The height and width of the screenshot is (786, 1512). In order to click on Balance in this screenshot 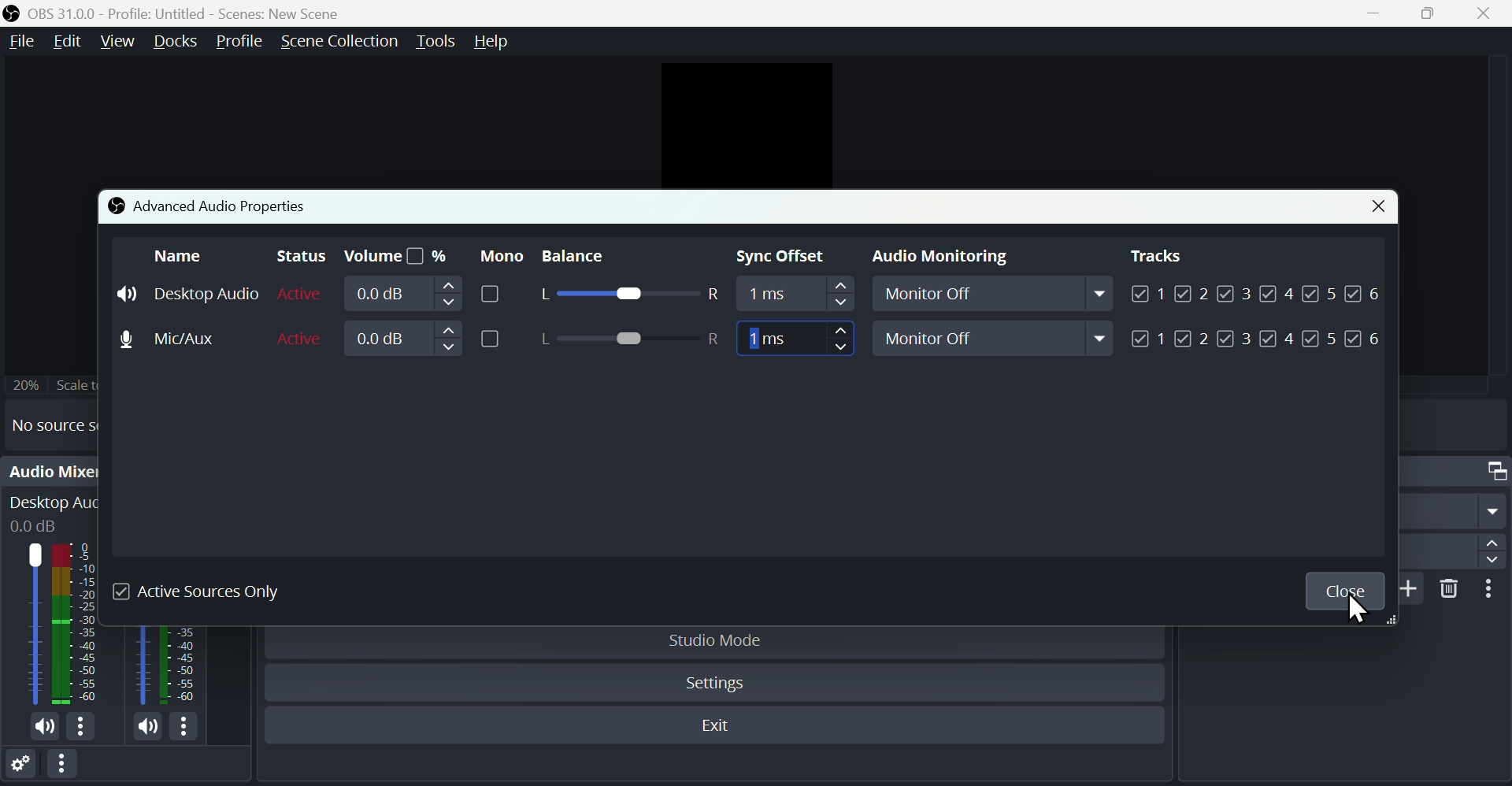, I will do `click(591, 257)`.